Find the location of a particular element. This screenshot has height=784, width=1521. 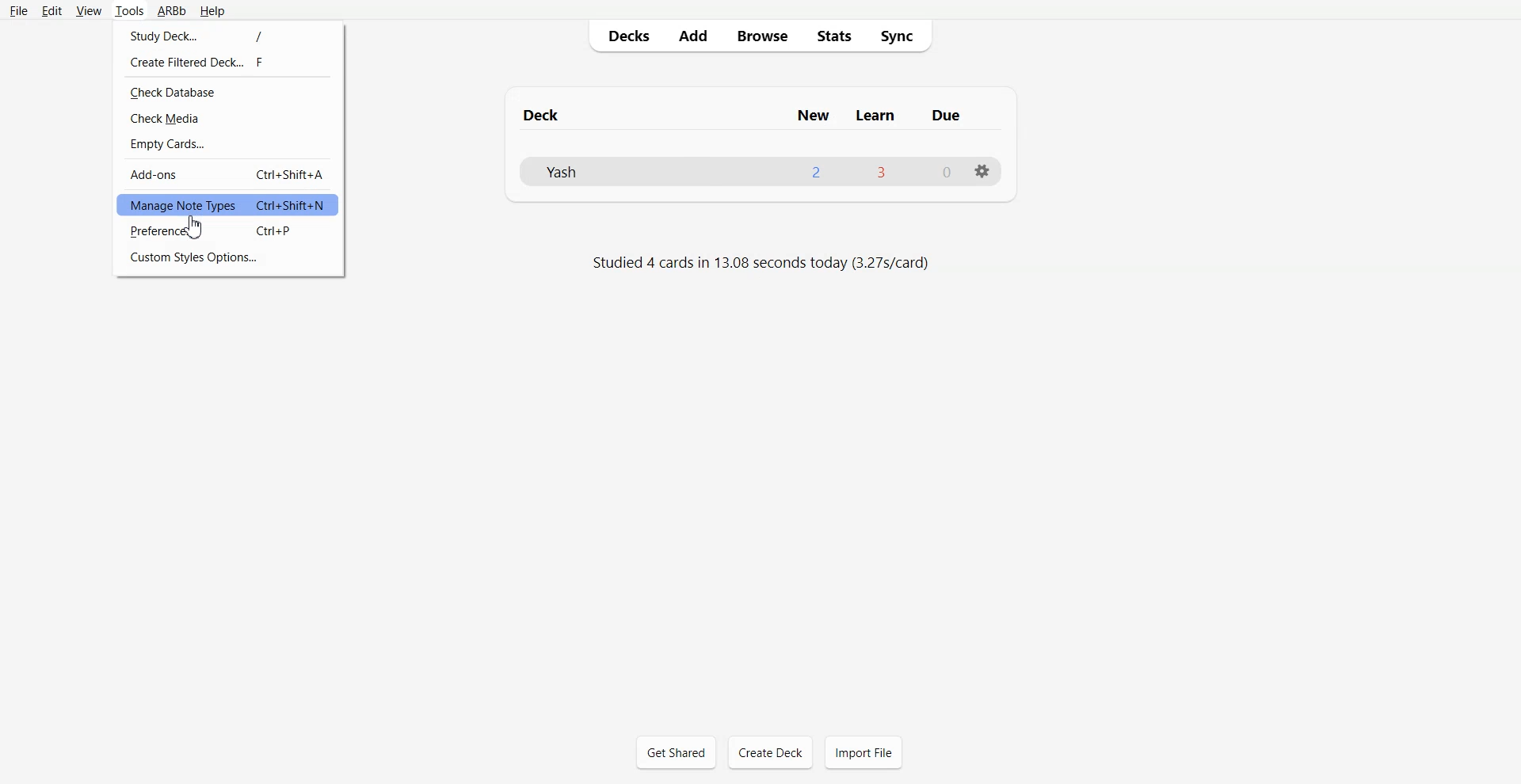

View is located at coordinates (89, 11).